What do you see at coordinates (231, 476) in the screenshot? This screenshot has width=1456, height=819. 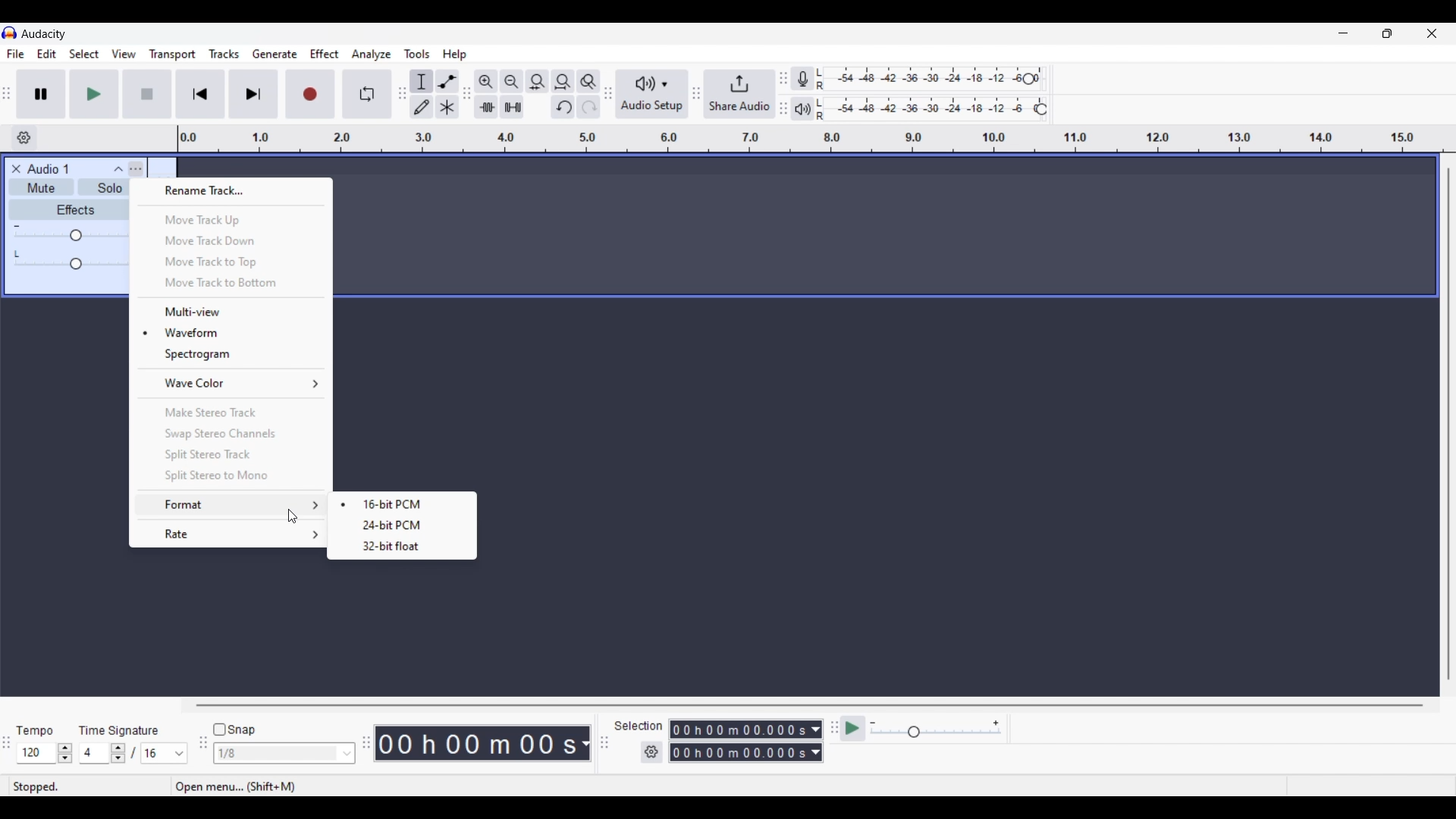 I see `Split stereo to Mono` at bounding box center [231, 476].